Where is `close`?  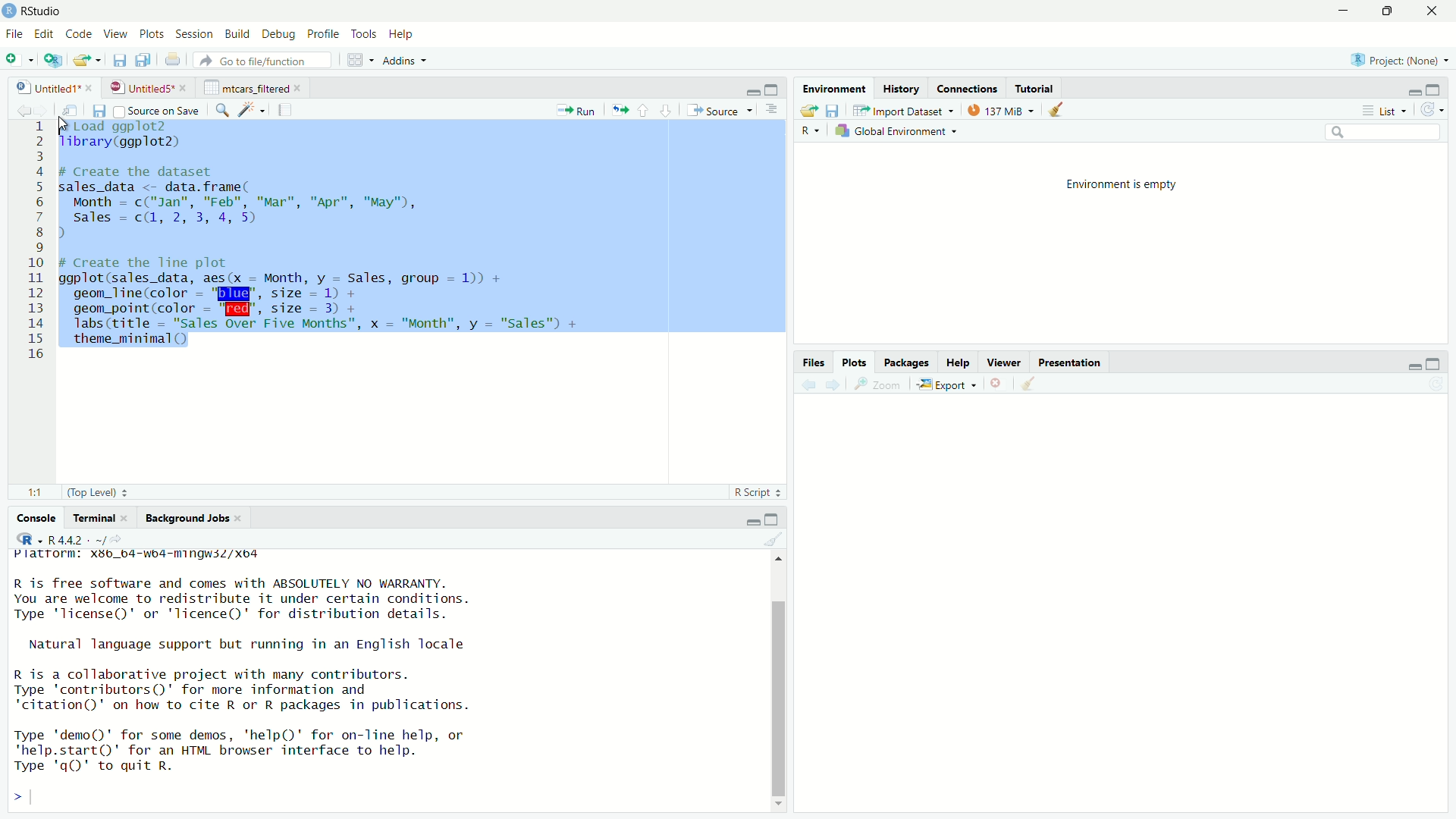 close is located at coordinates (185, 88).